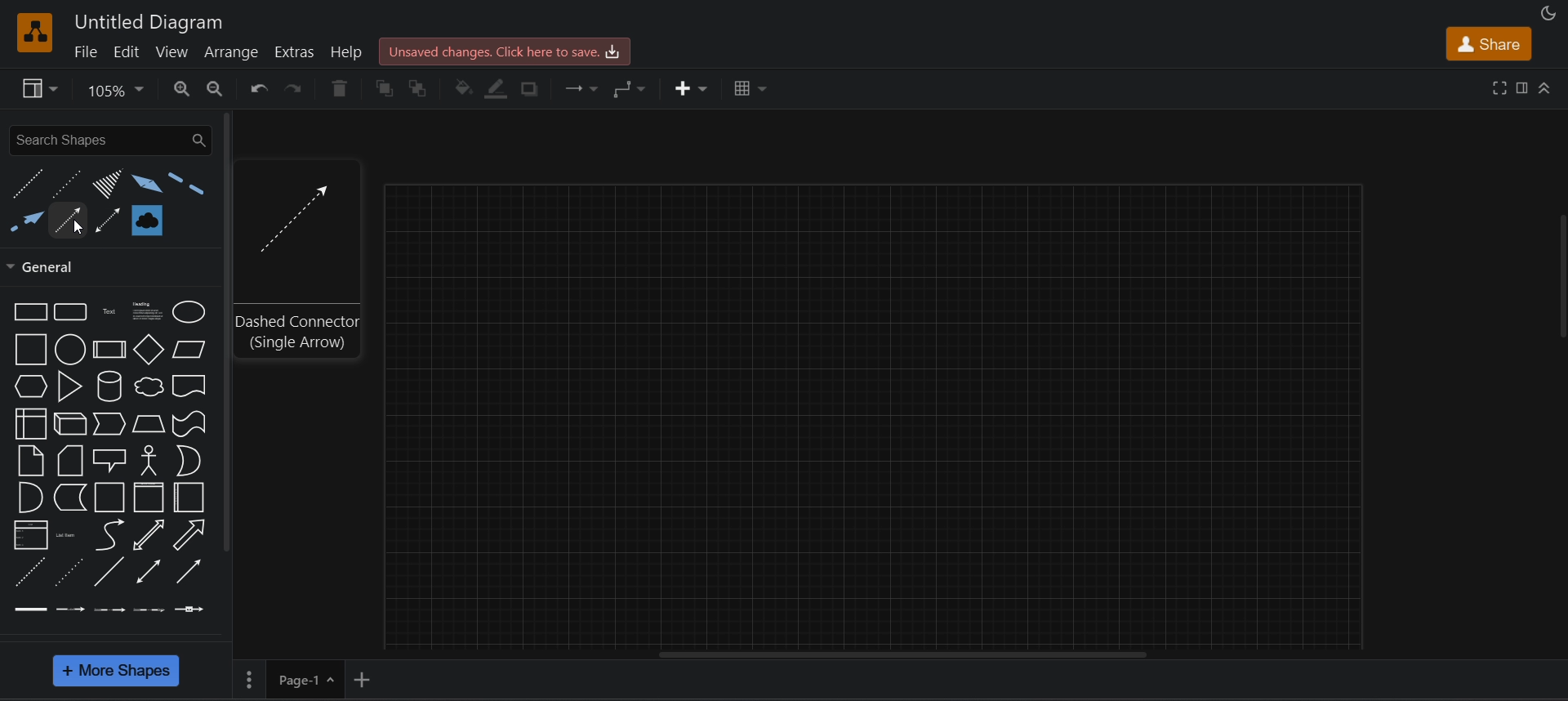 The height and width of the screenshot is (701, 1568). I want to click on , so click(191, 496).